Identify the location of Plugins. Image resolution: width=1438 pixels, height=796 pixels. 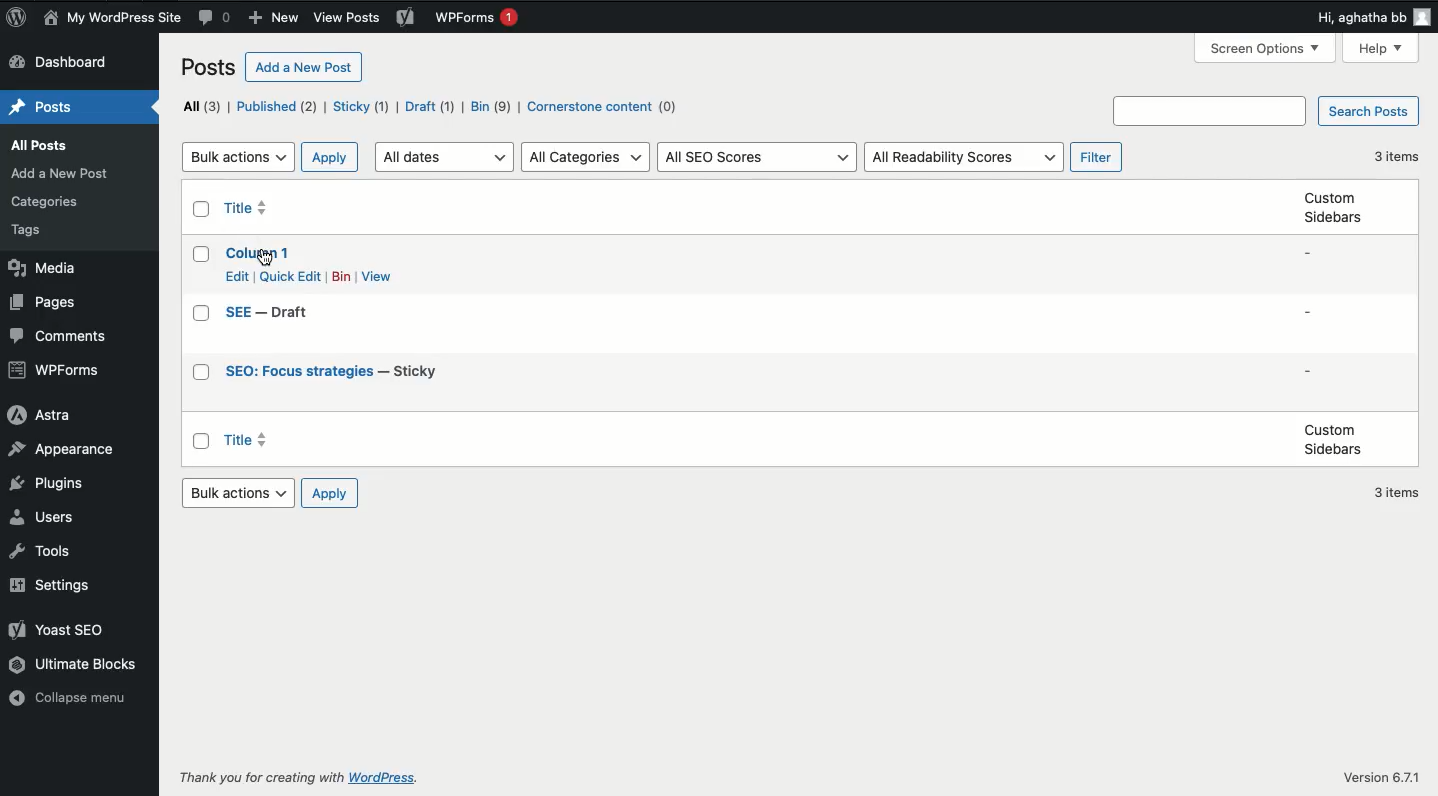
(43, 483).